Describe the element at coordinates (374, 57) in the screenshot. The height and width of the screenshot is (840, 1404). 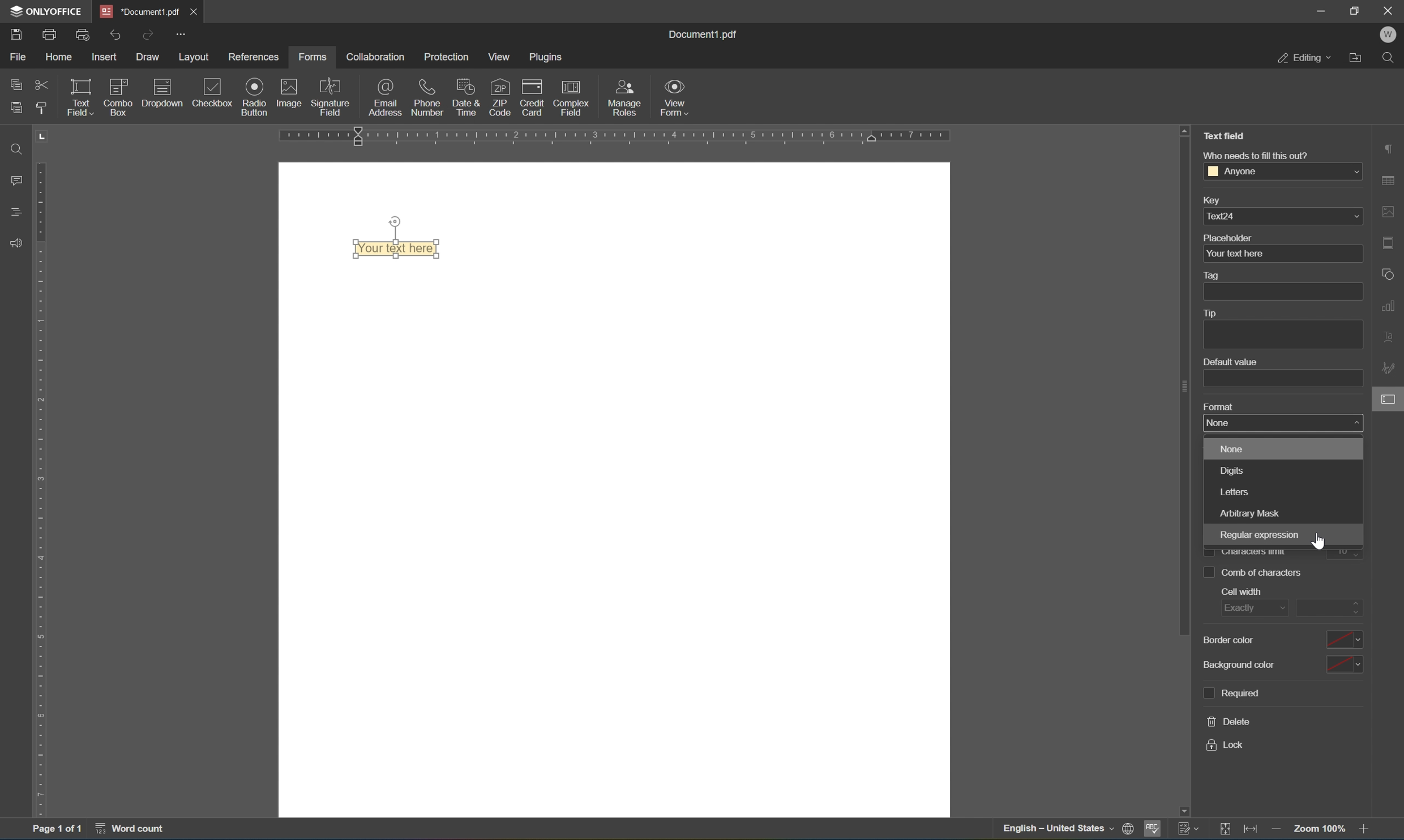
I see `collaboration` at that location.